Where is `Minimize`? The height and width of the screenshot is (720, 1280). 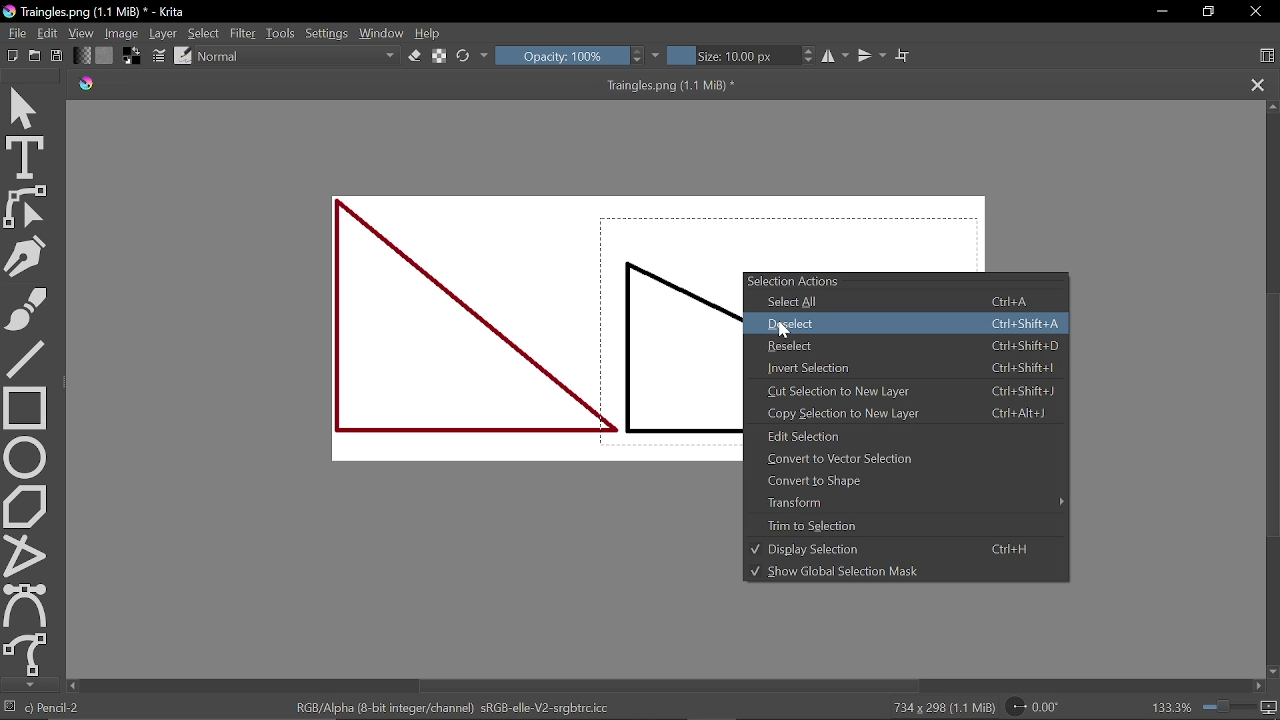
Minimize is located at coordinates (1161, 12).